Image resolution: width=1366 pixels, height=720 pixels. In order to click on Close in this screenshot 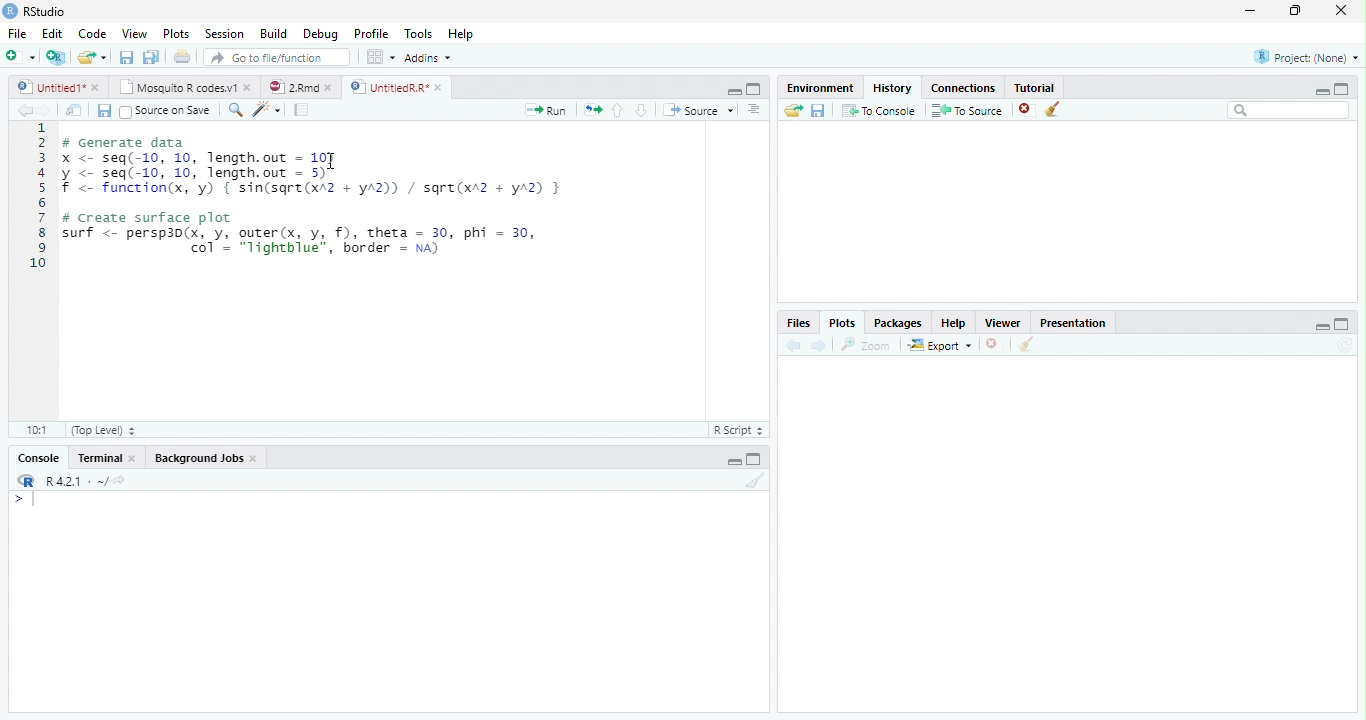, I will do `click(254, 458)`.